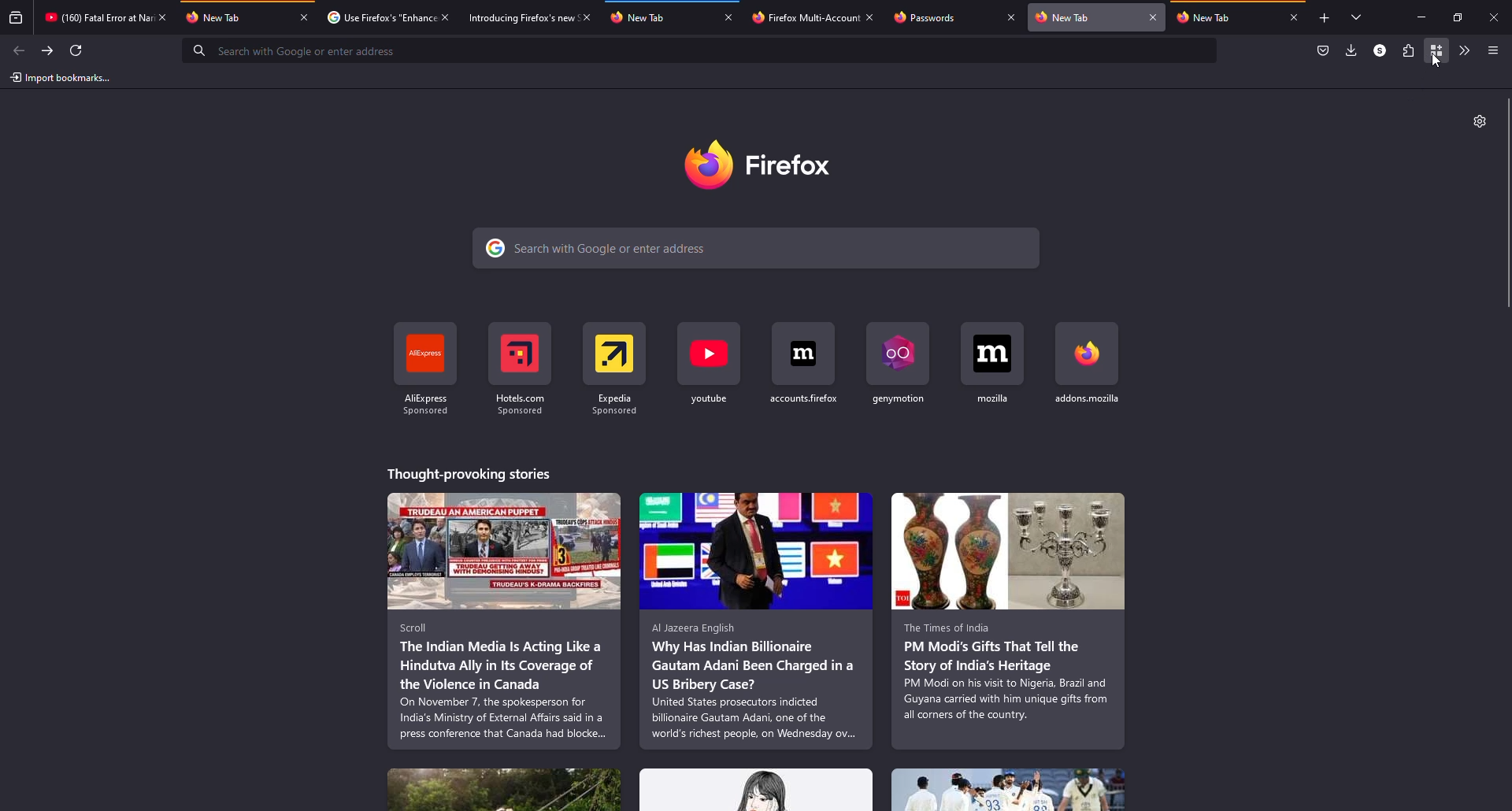  I want to click on scroll bar, so click(1506, 203).